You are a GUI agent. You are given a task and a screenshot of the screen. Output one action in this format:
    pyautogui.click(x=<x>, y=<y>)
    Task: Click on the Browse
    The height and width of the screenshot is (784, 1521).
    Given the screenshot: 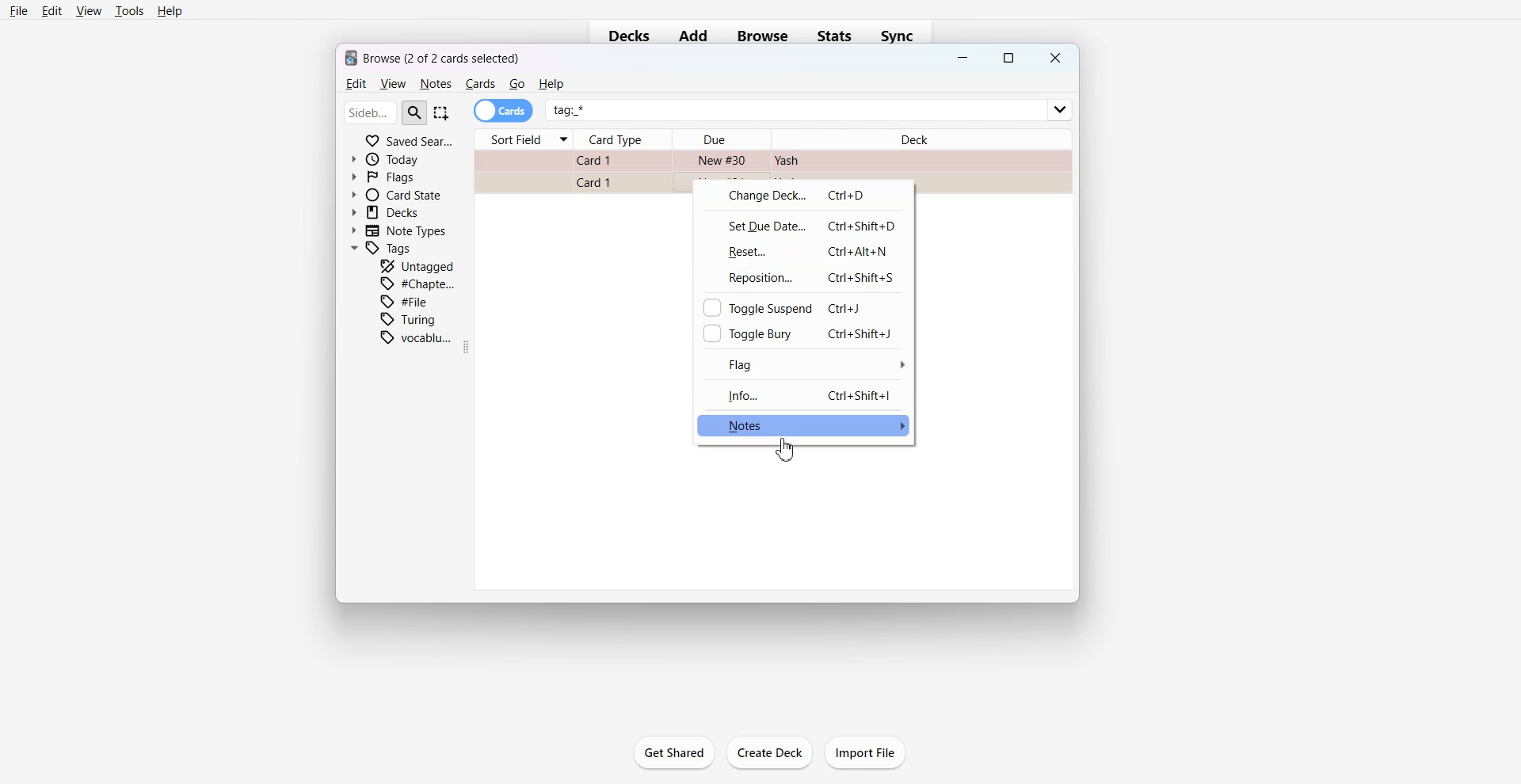 What is the action you would take?
    pyautogui.click(x=762, y=36)
    